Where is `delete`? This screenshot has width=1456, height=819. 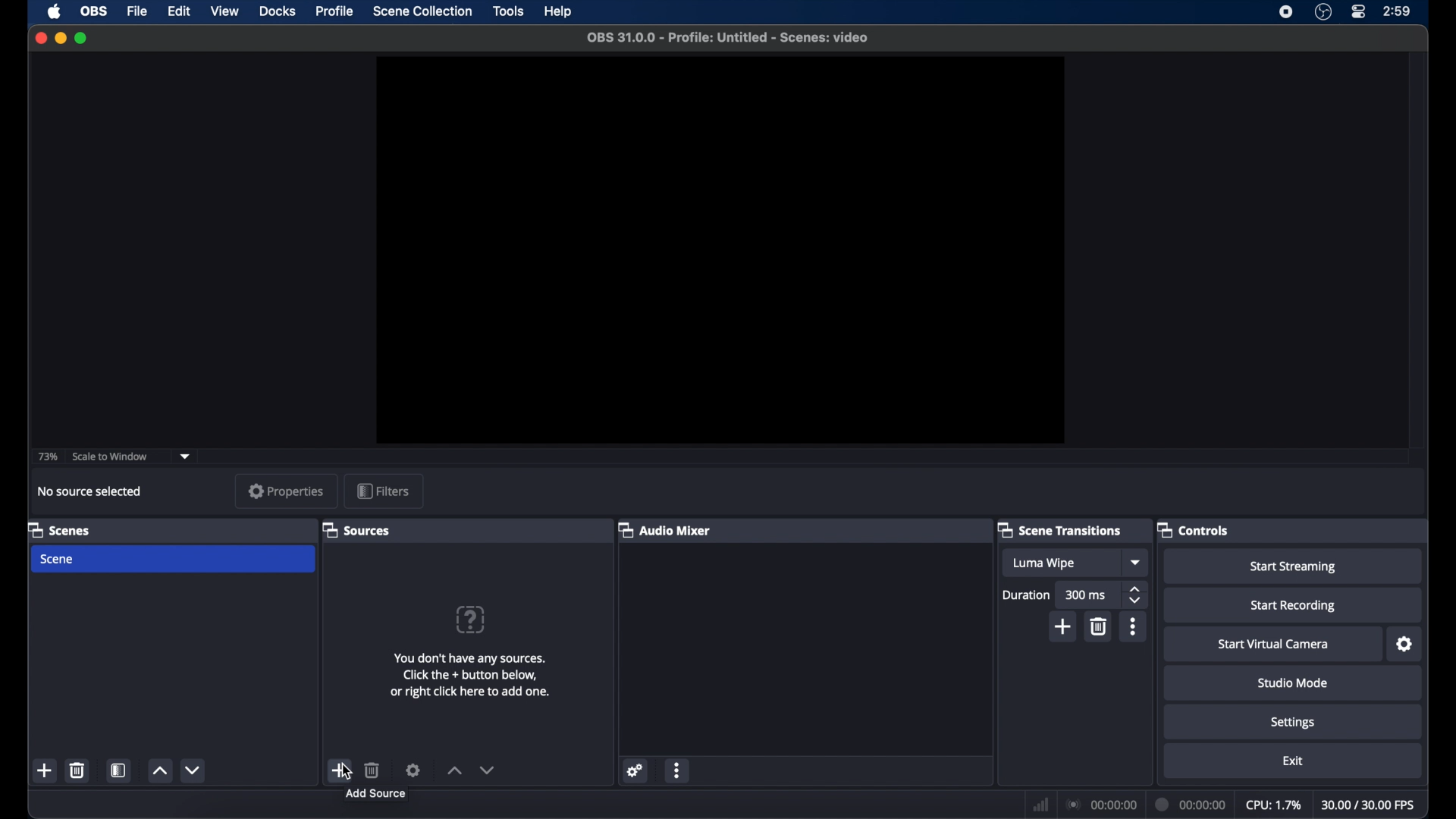 delete is located at coordinates (77, 770).